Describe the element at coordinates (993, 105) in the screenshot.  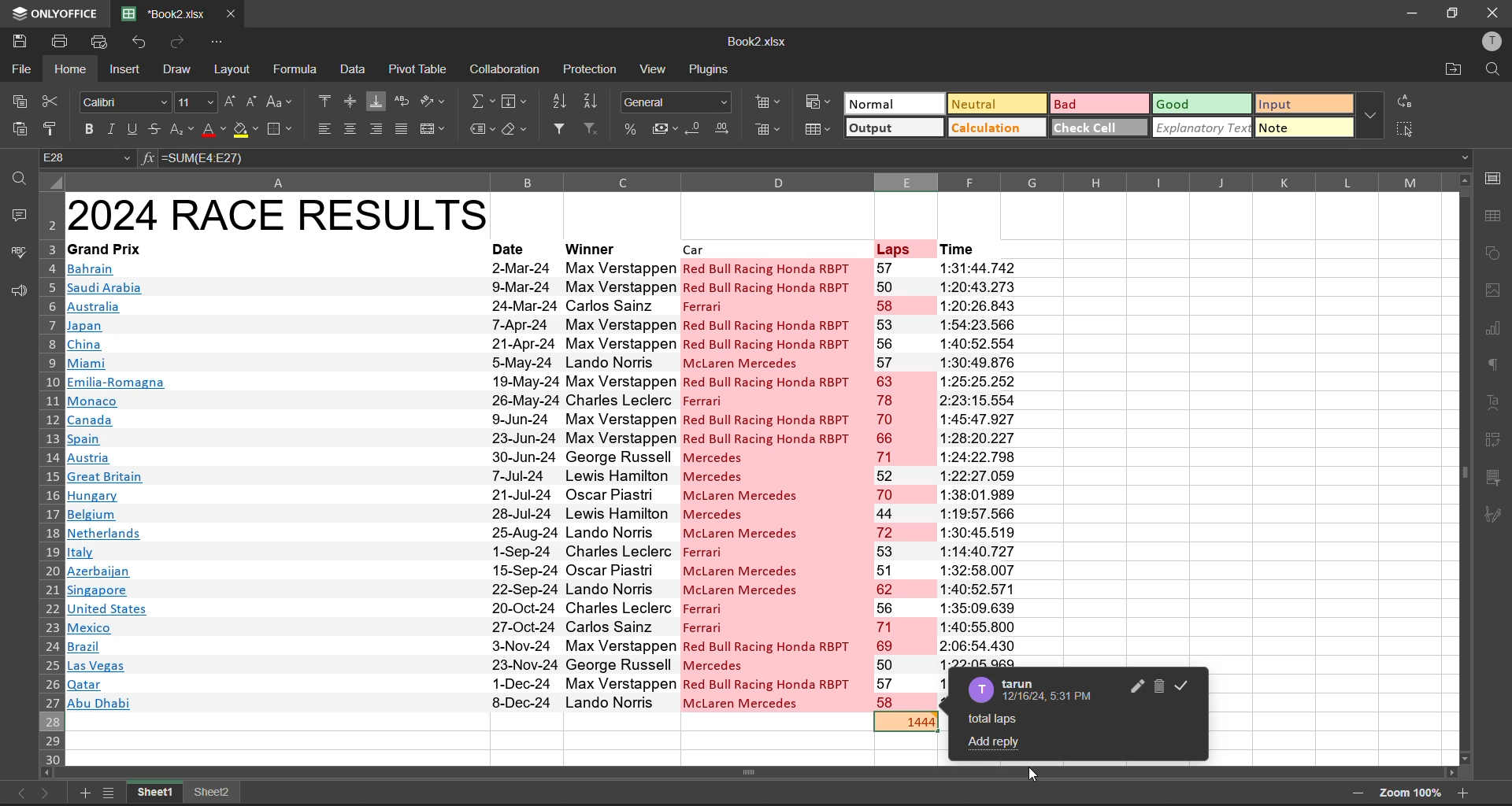
I see `neutral` at that location.